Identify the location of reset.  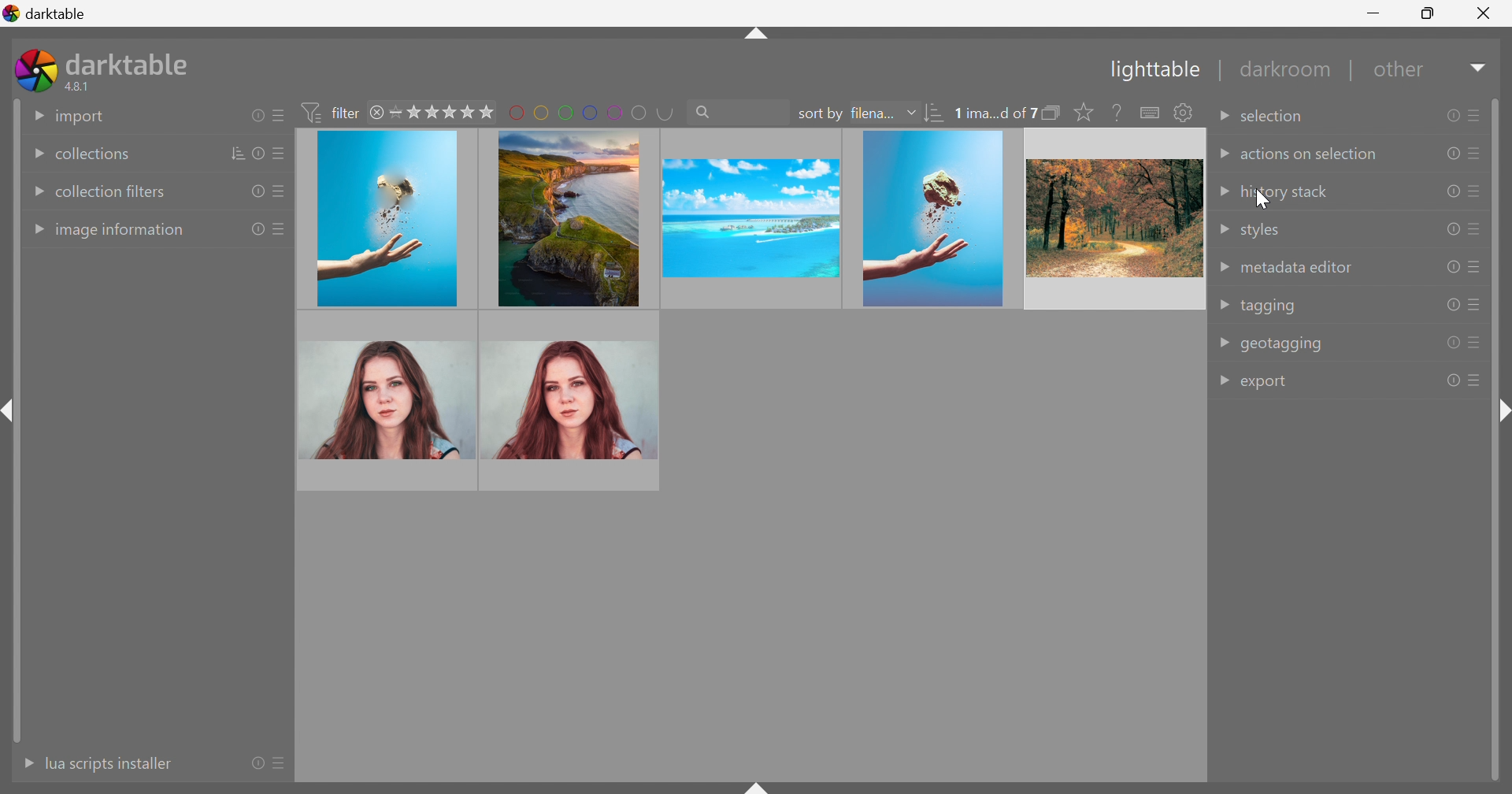
(261, 153).